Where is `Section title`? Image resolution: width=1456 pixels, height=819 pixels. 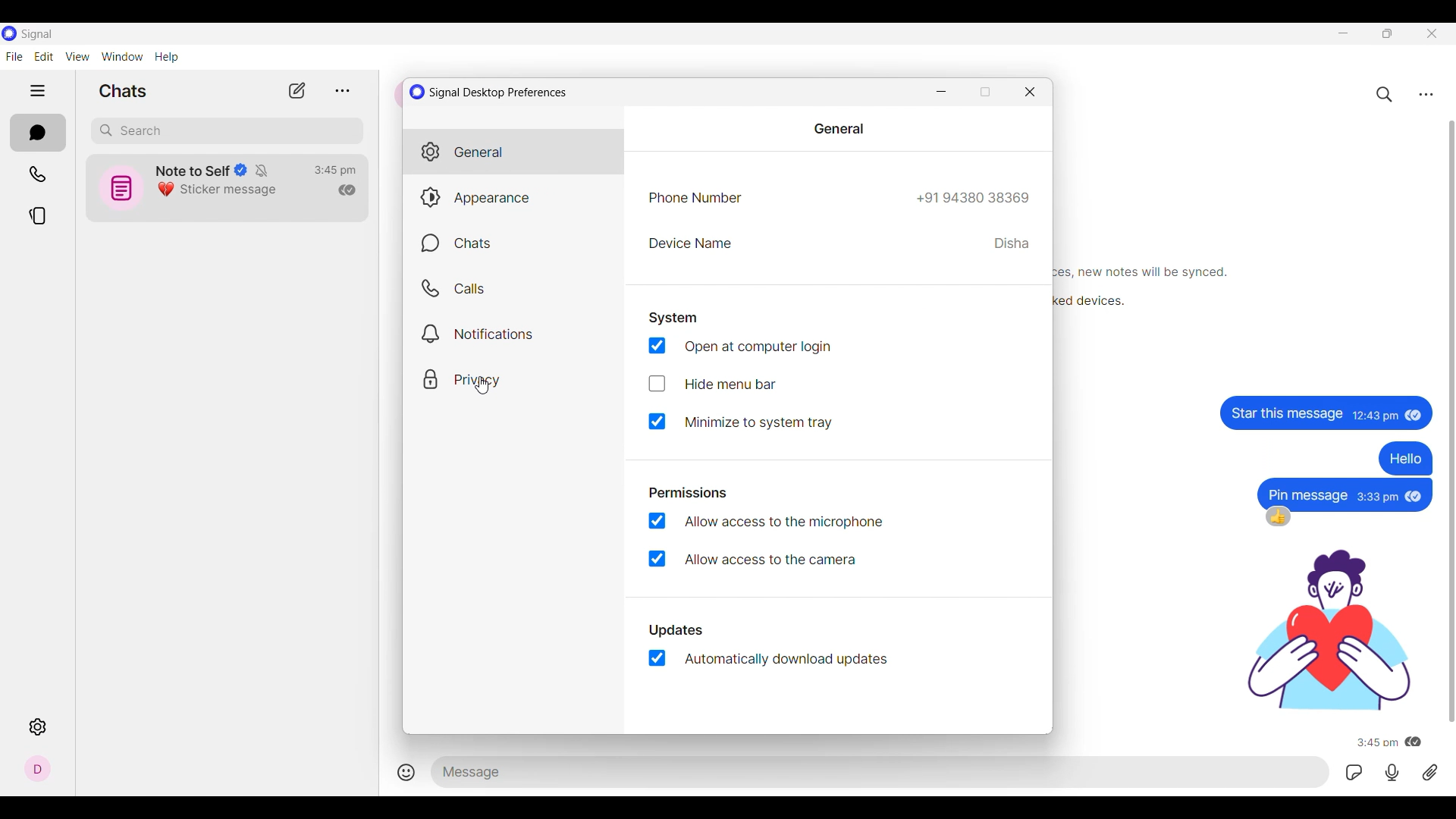 Section title is located at coordinates (123, 91).